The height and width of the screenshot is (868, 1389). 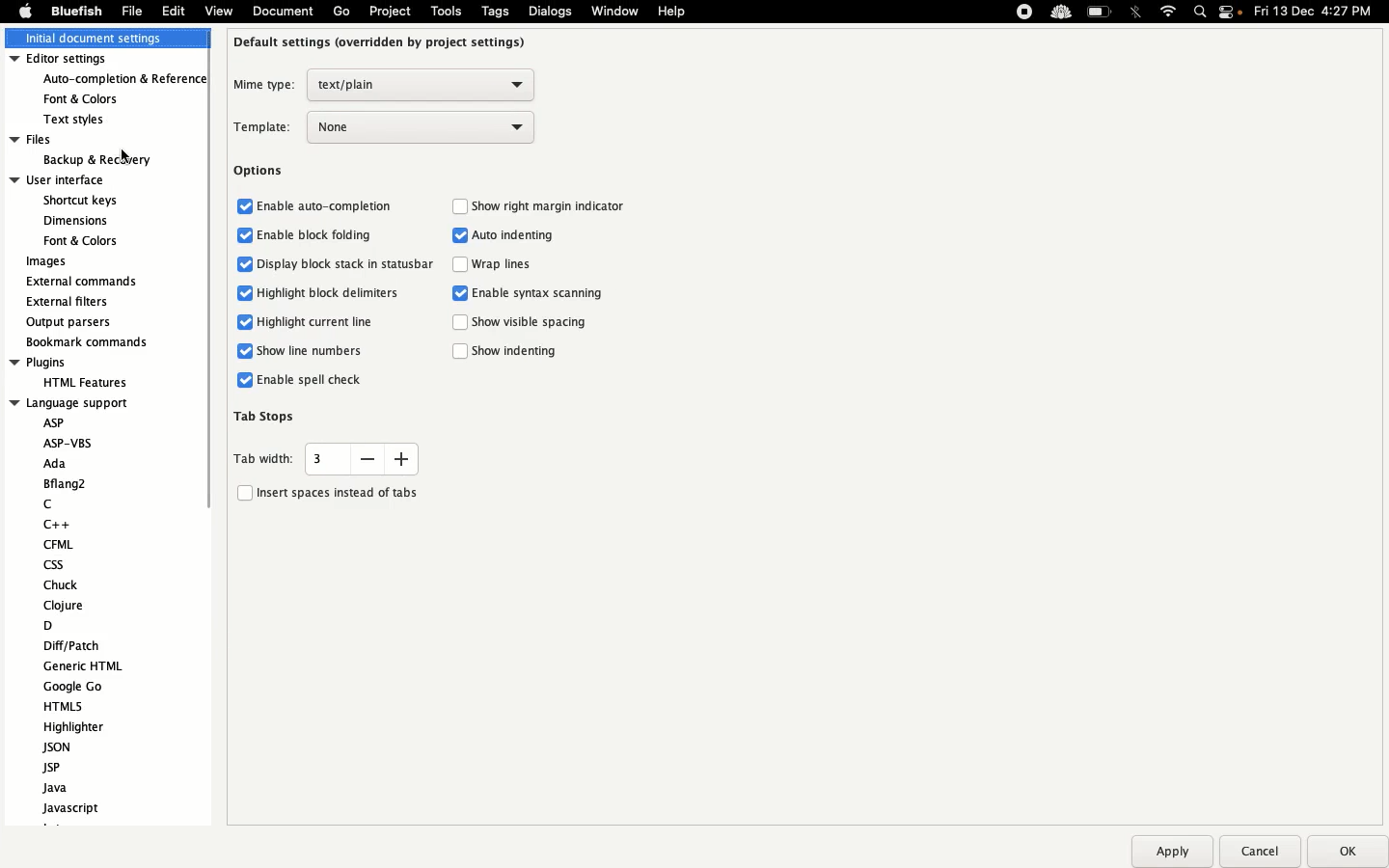 I want to click on Initial document settings, so click(x=102, y=39).